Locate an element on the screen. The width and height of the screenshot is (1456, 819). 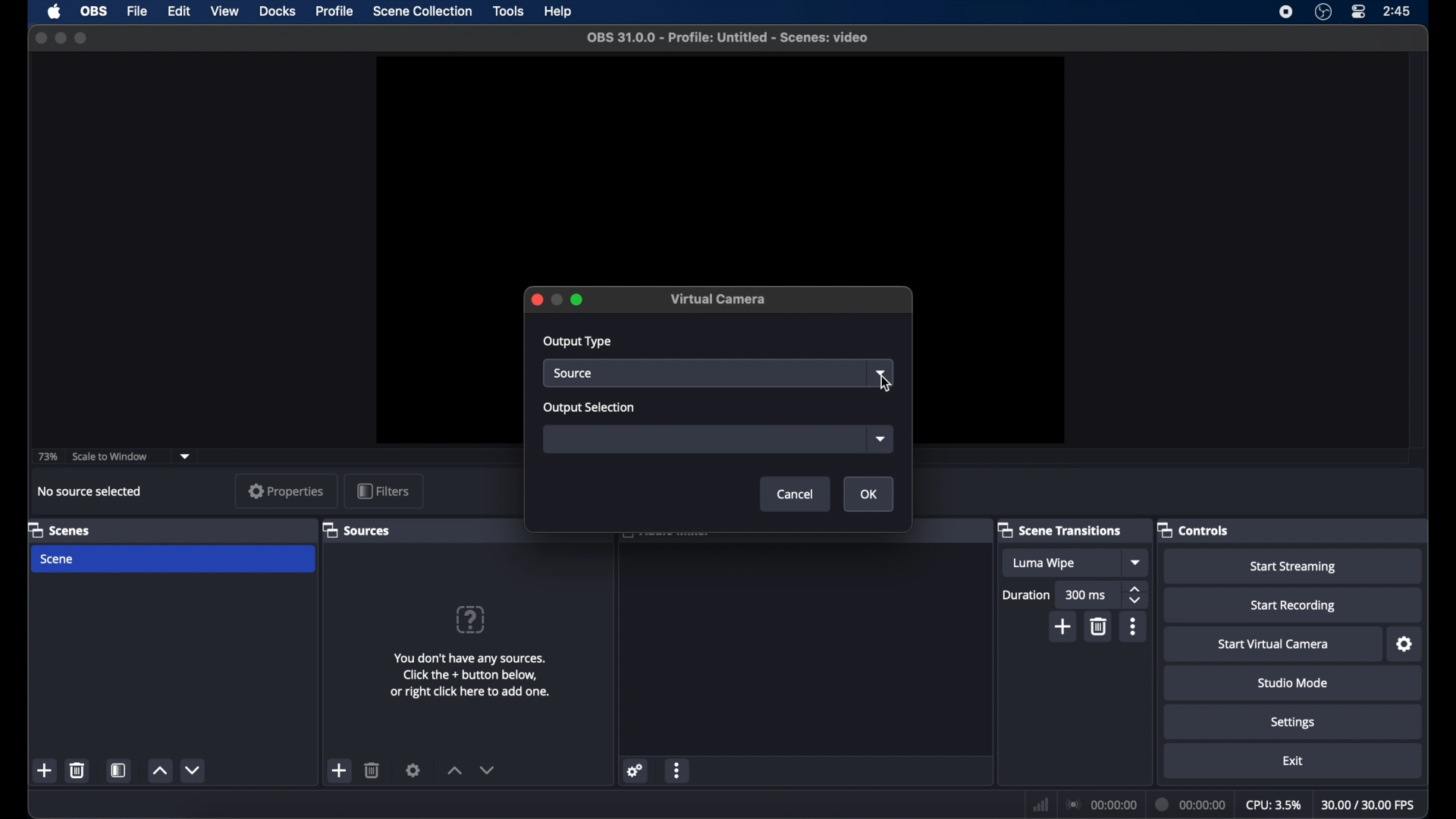
obscure text is located at coordinates (665, 538).